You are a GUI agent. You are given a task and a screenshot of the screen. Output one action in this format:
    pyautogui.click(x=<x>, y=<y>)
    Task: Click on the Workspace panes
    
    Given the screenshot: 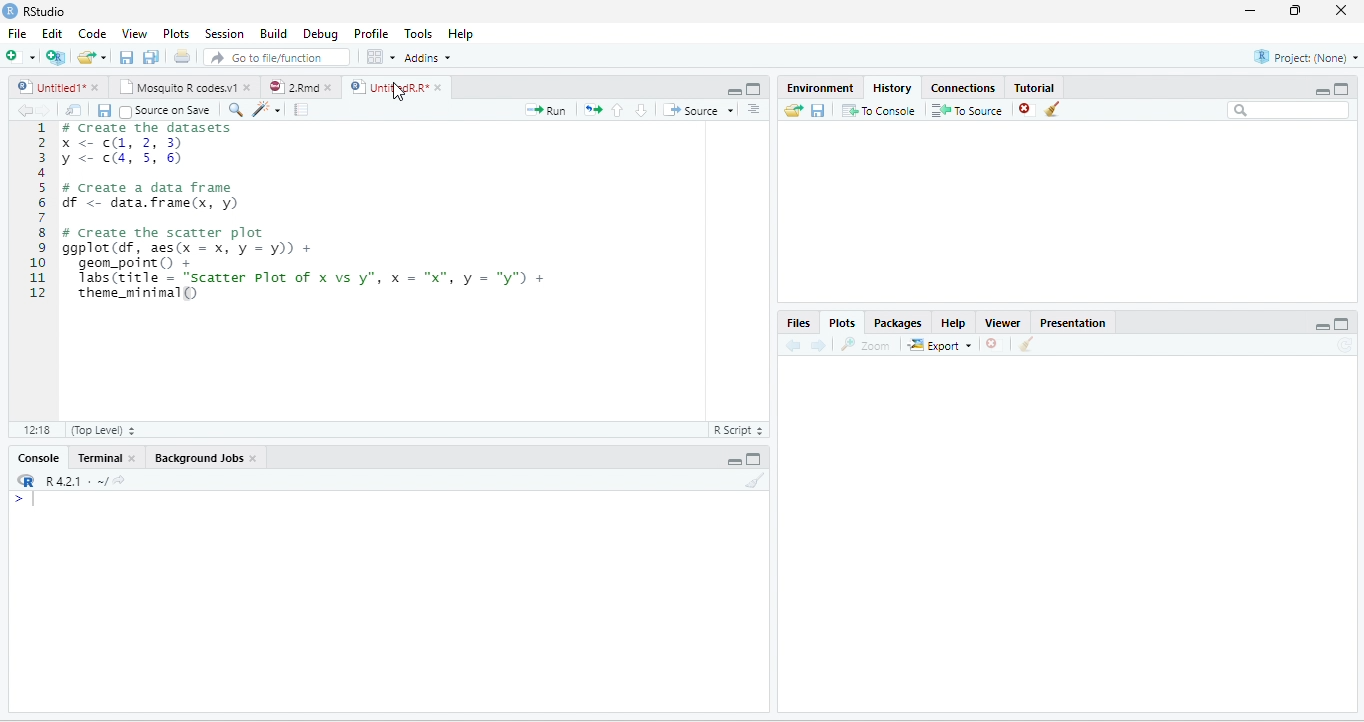 What is the action you would take?
    pyautogui.click(x=379, y=56)
    